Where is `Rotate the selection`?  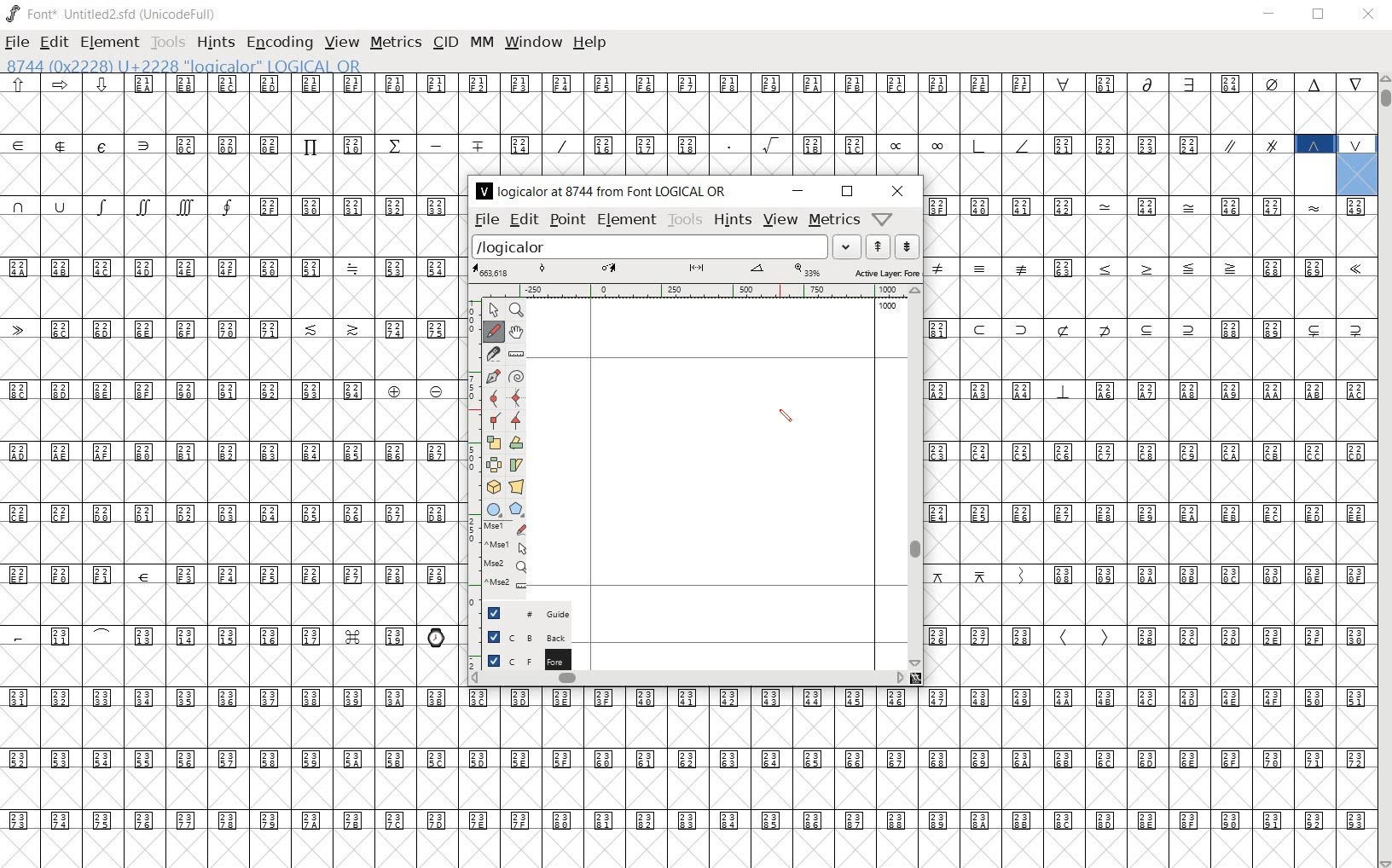
Rotate the selection is located at coordinates (515, 466).